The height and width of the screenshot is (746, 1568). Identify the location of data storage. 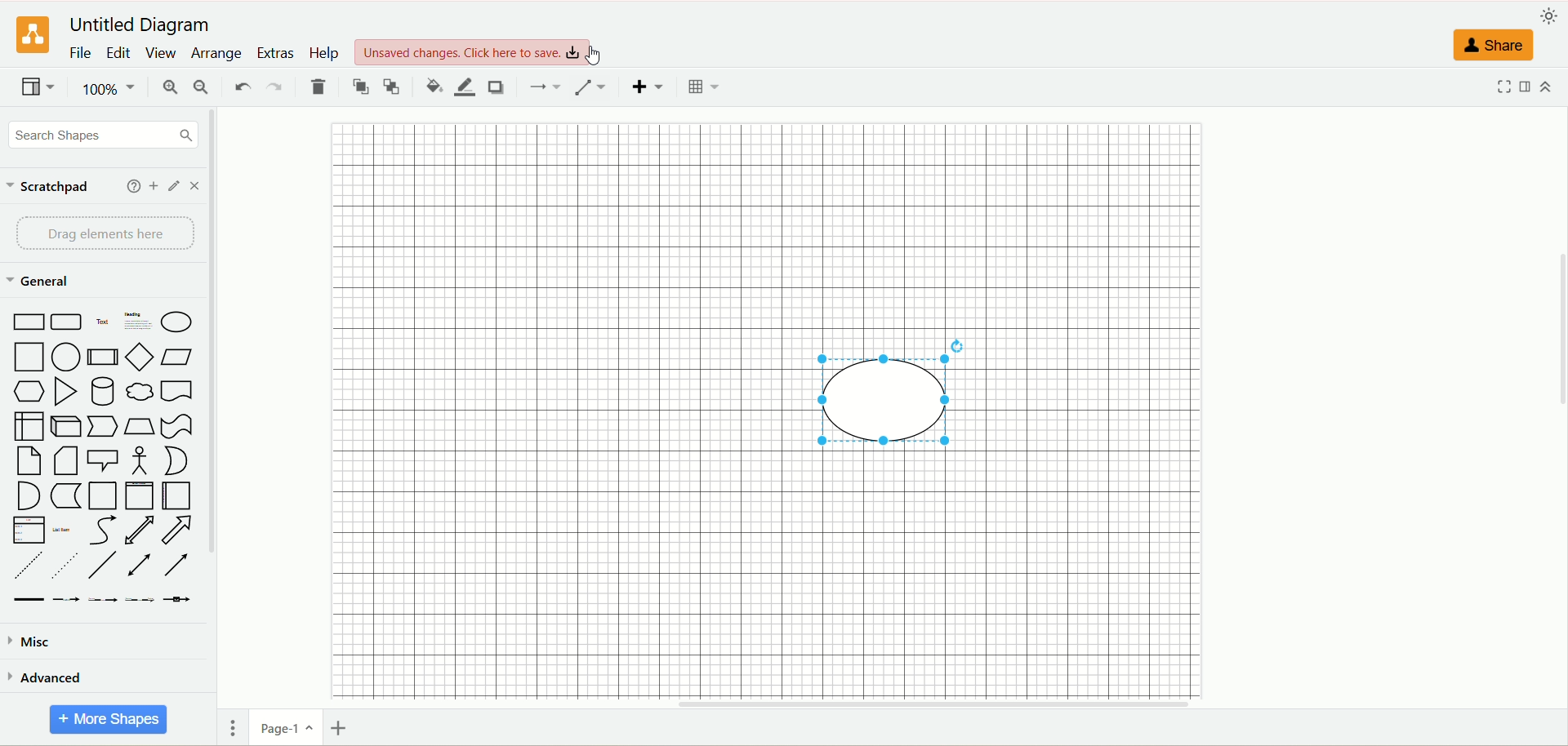
(65, 495).